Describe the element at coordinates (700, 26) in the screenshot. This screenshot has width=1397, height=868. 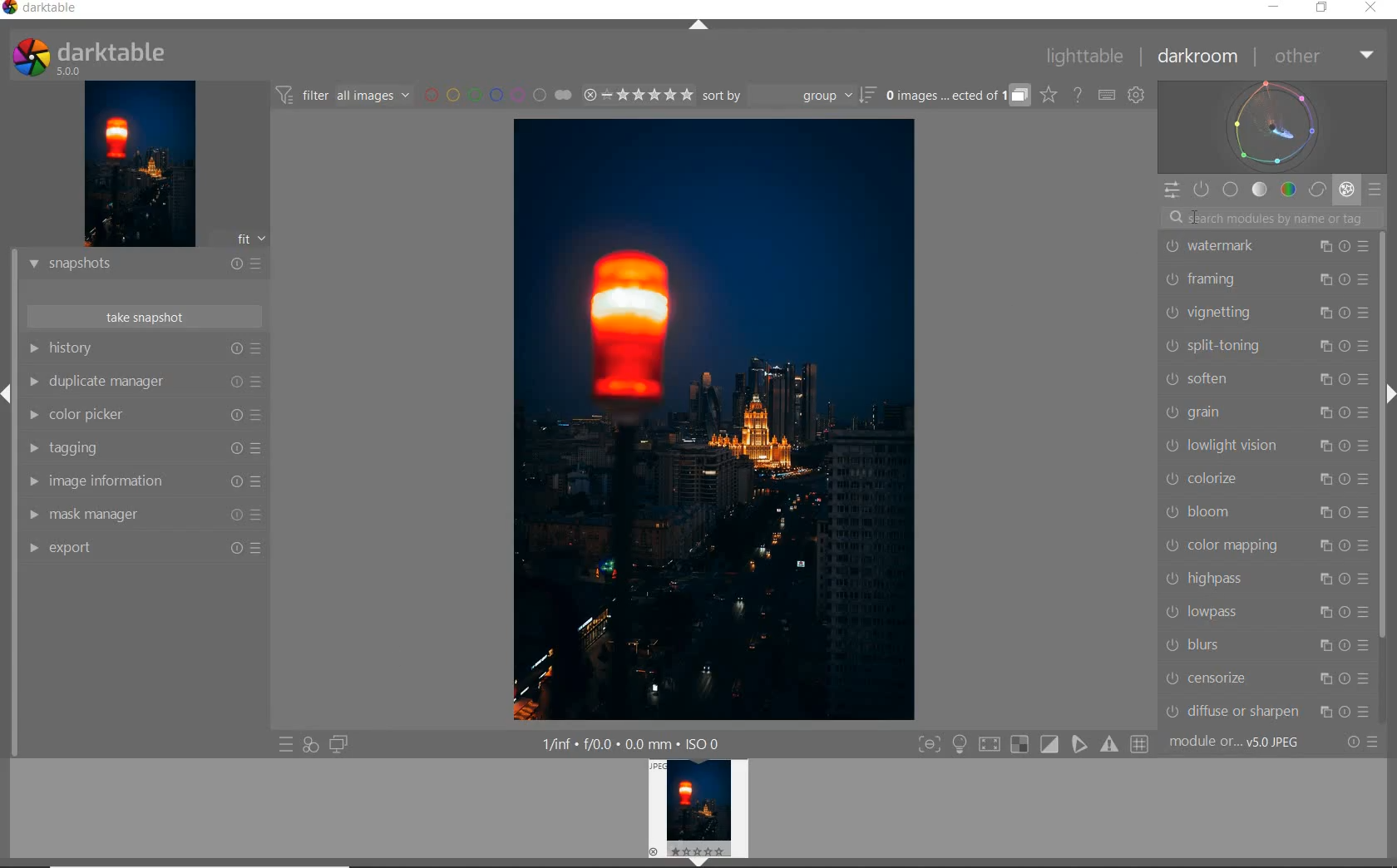
I see `EXPAND/COLLAPSE` at that location.